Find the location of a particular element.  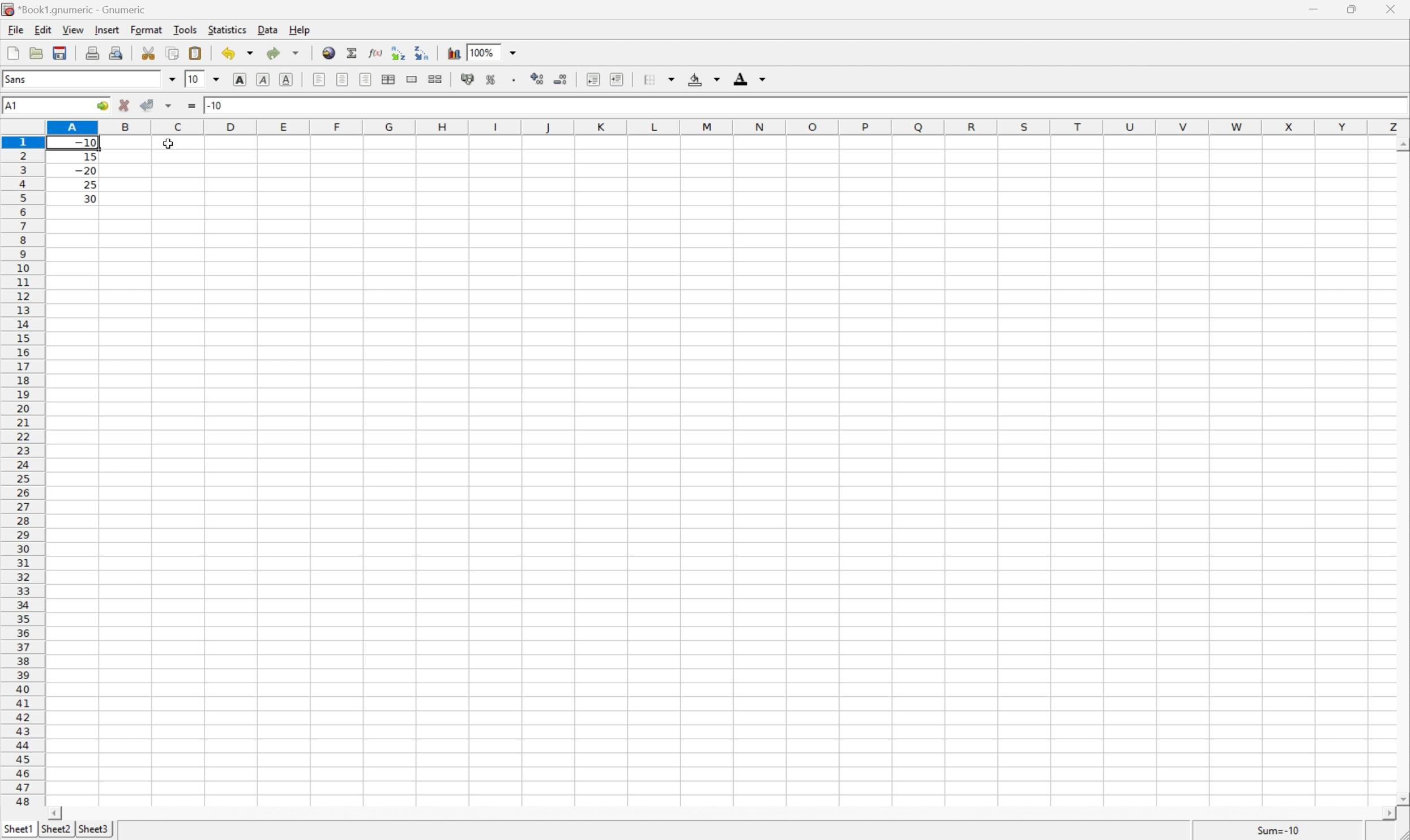

center horizontally is located at coordinates (343, 79).